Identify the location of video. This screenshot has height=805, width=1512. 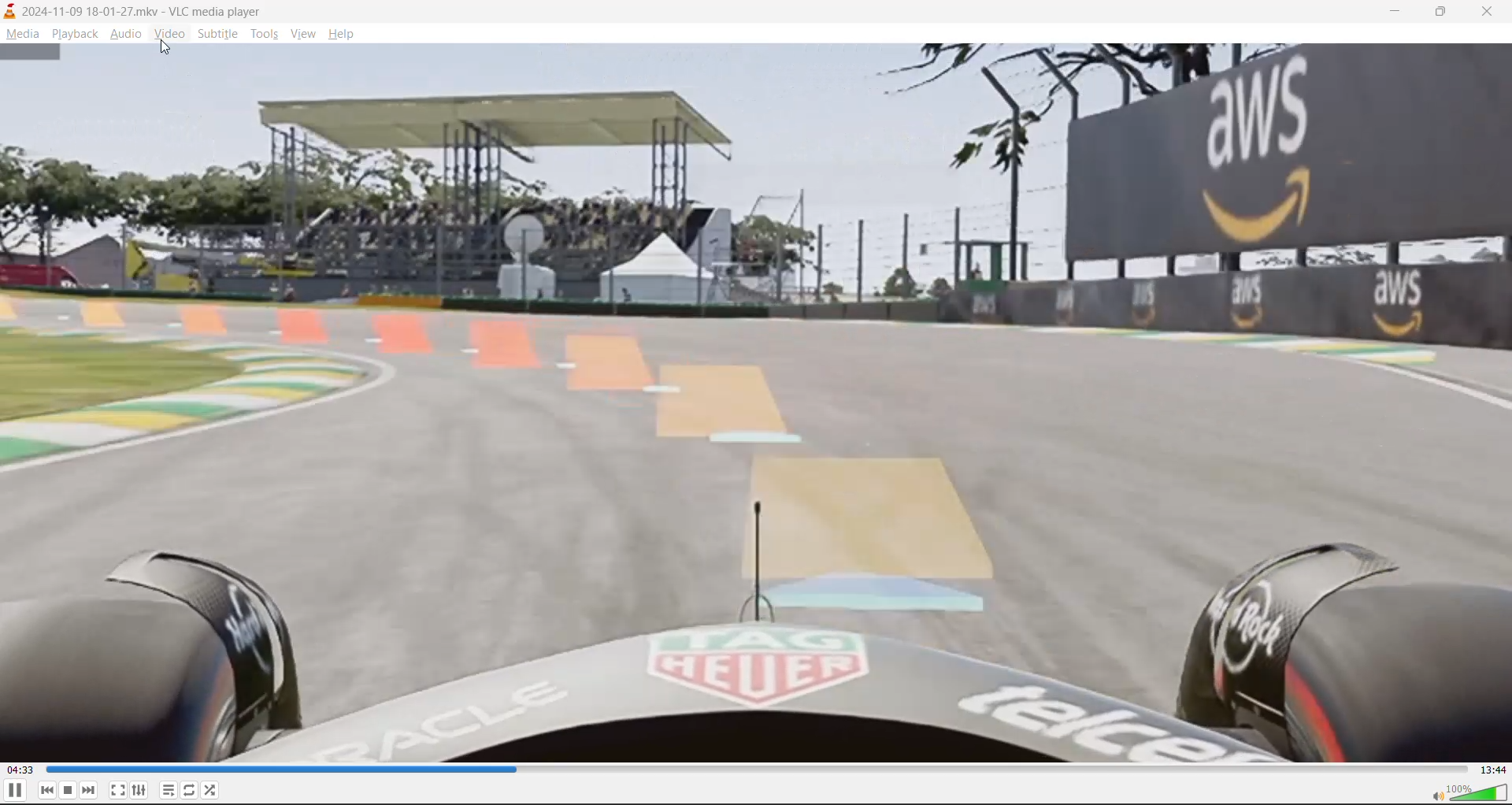
(168, 35).